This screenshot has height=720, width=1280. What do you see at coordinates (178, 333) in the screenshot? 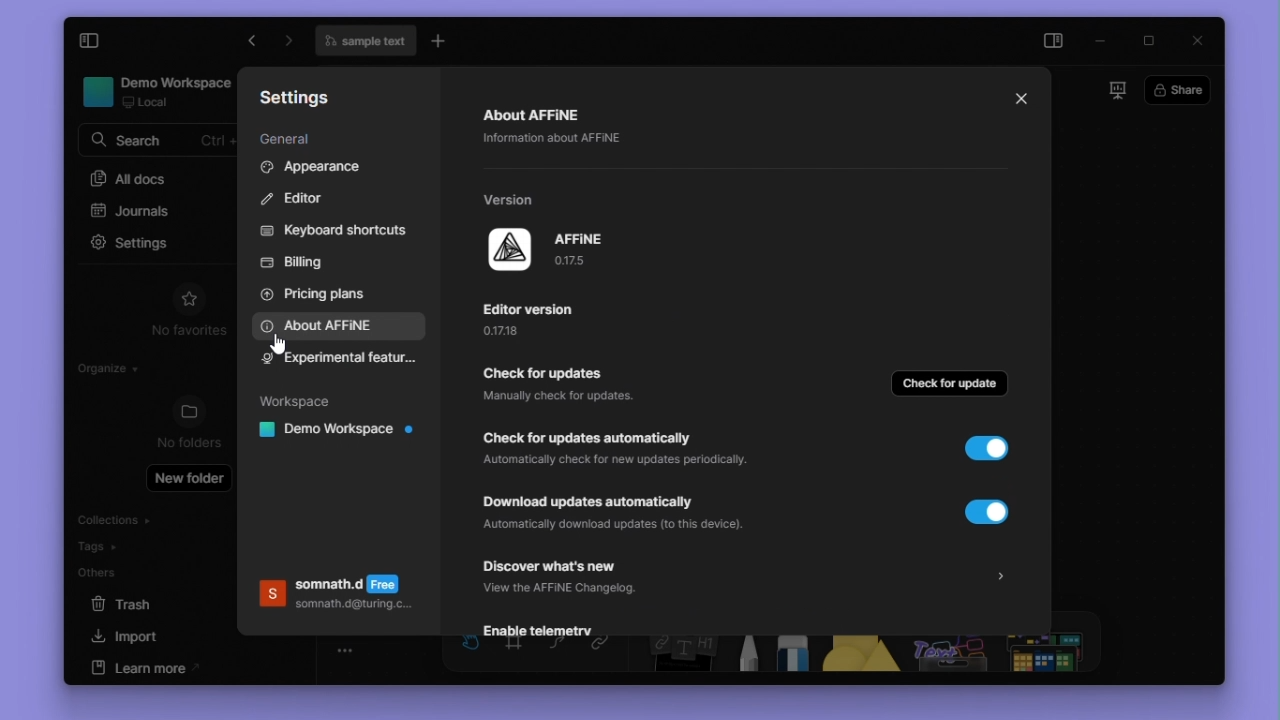
I see `no favorites` at bounding box center [178, 333].